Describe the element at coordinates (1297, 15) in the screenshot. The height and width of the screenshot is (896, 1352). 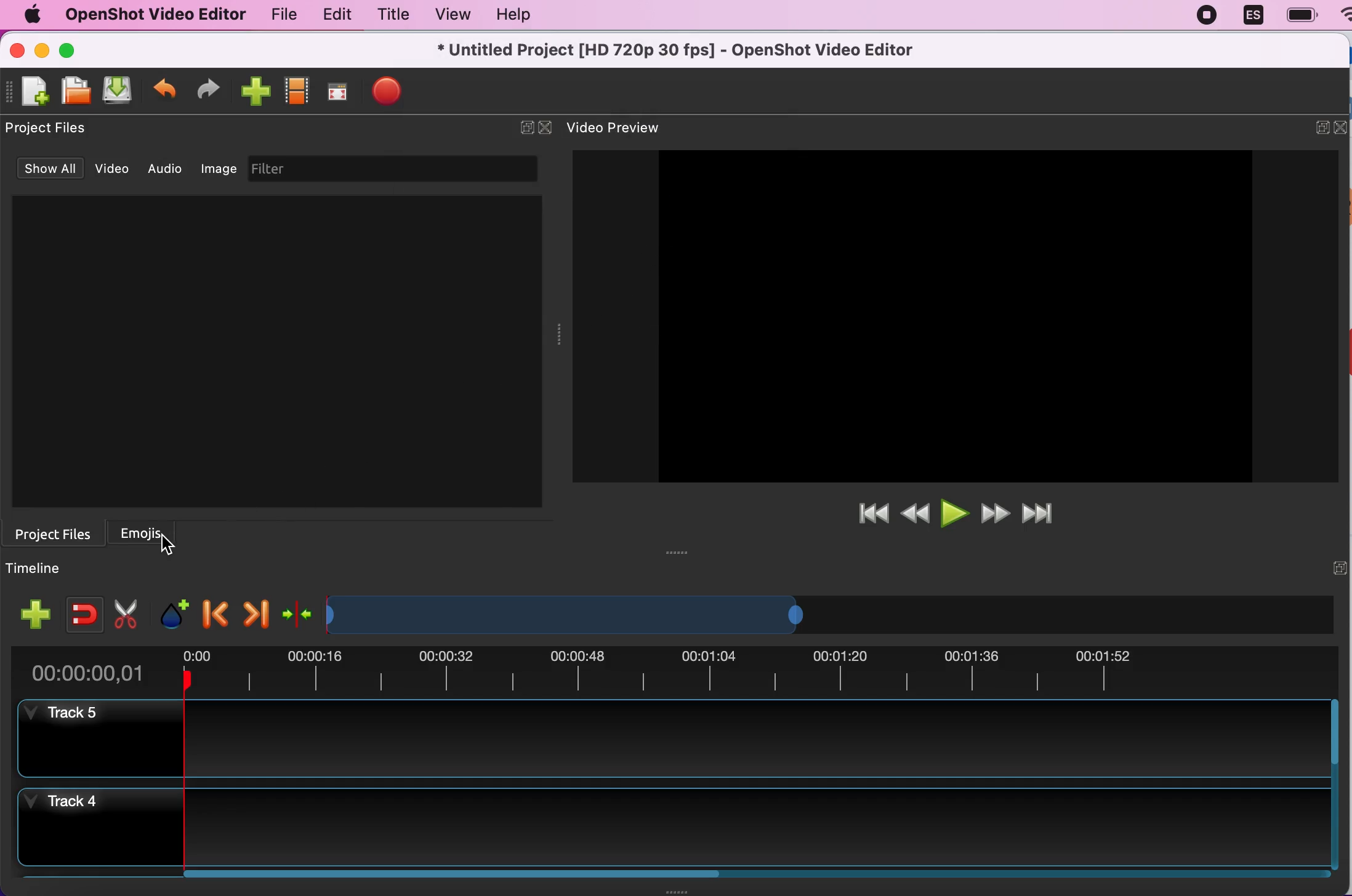
I see `battery` at that location.